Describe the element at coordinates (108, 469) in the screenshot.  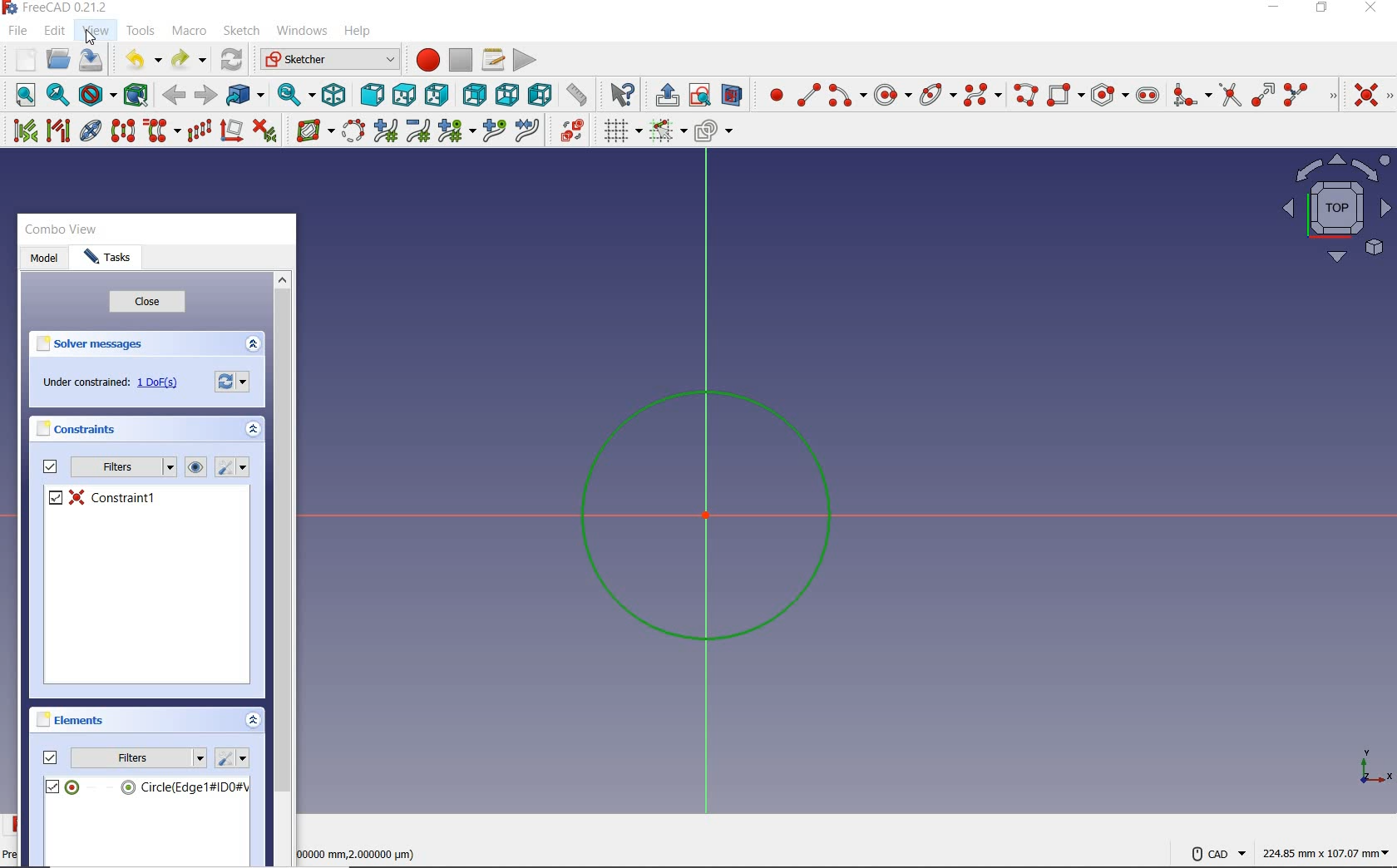
I see `filters` at that location.